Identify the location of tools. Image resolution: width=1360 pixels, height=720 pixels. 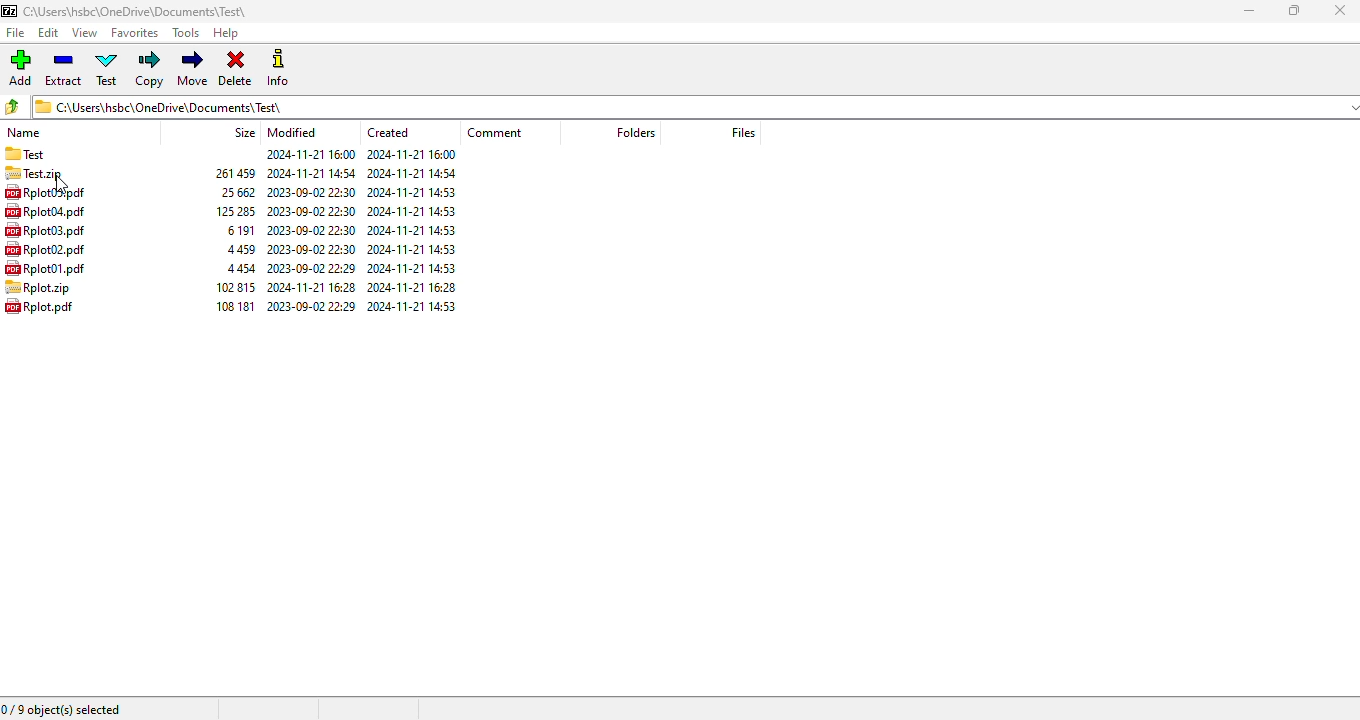
(184, 33).